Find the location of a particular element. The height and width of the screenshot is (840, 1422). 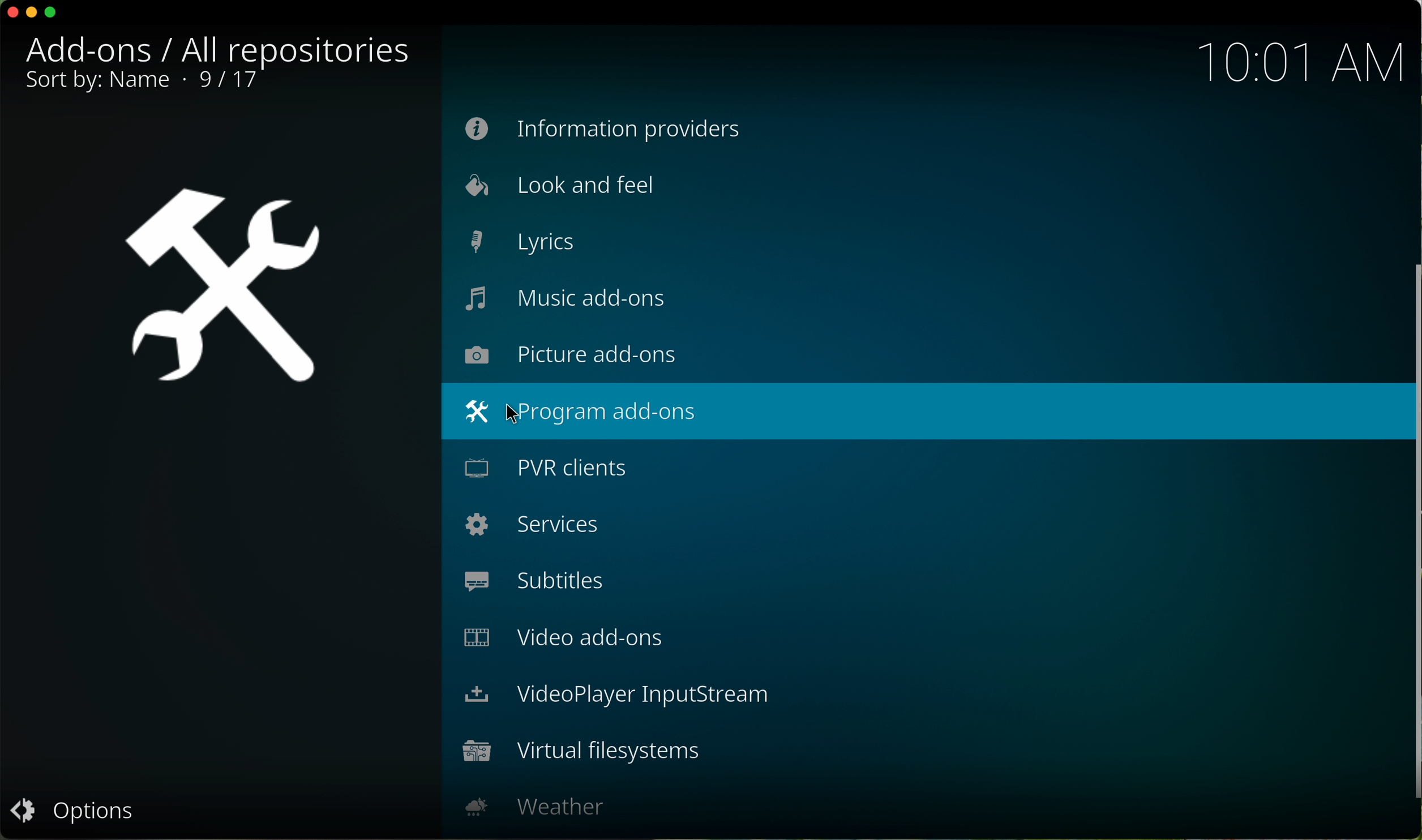

add-ons / all repositories is located at coordinates (215, 50).